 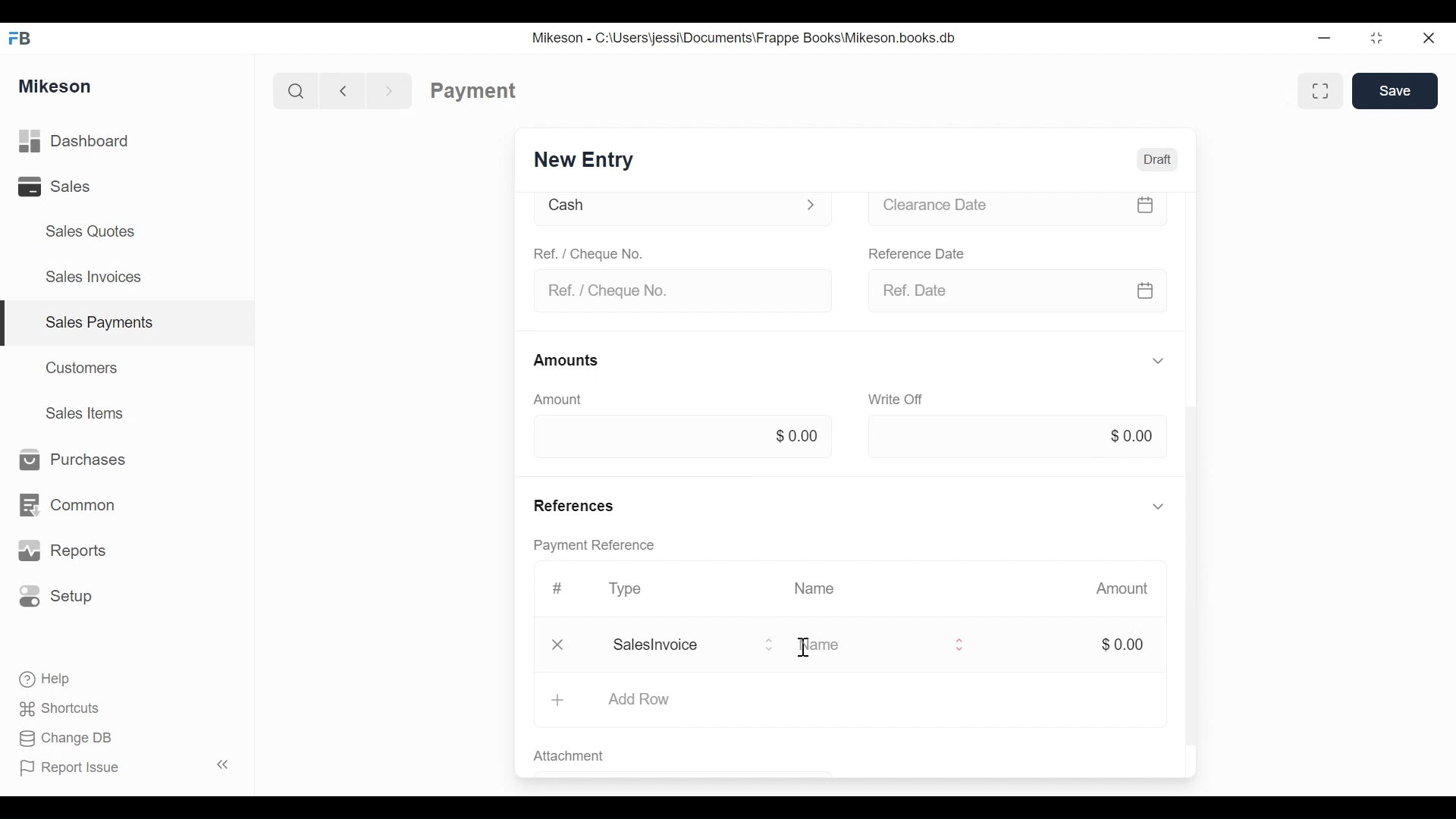 What do you see at coordinates (676, 209) in the screenshot?
I see `Cash` at bounding box center [676, 209].